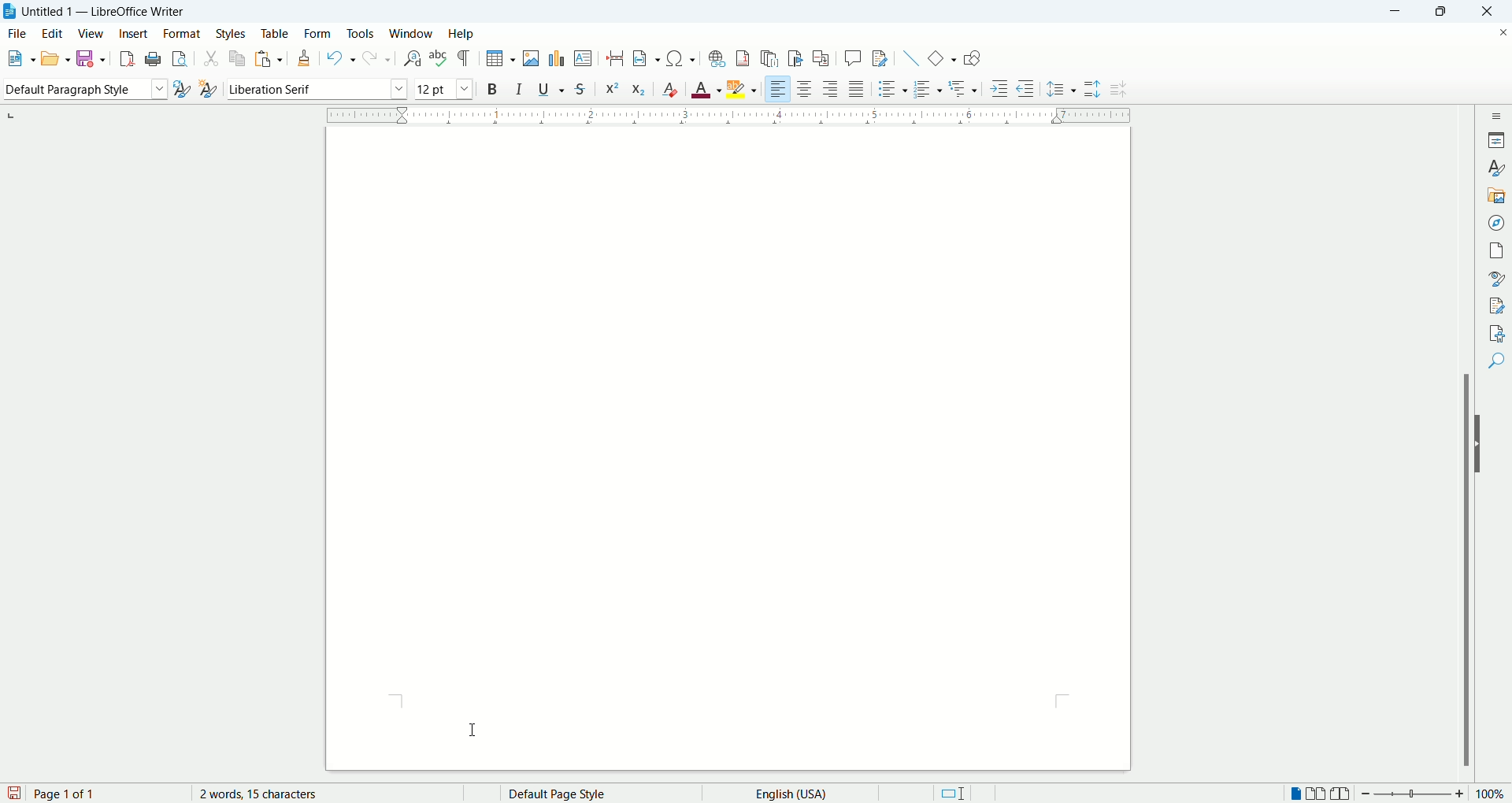 This screenshot has height=803, width=1512. I want to click on styles, so click(233, 33).